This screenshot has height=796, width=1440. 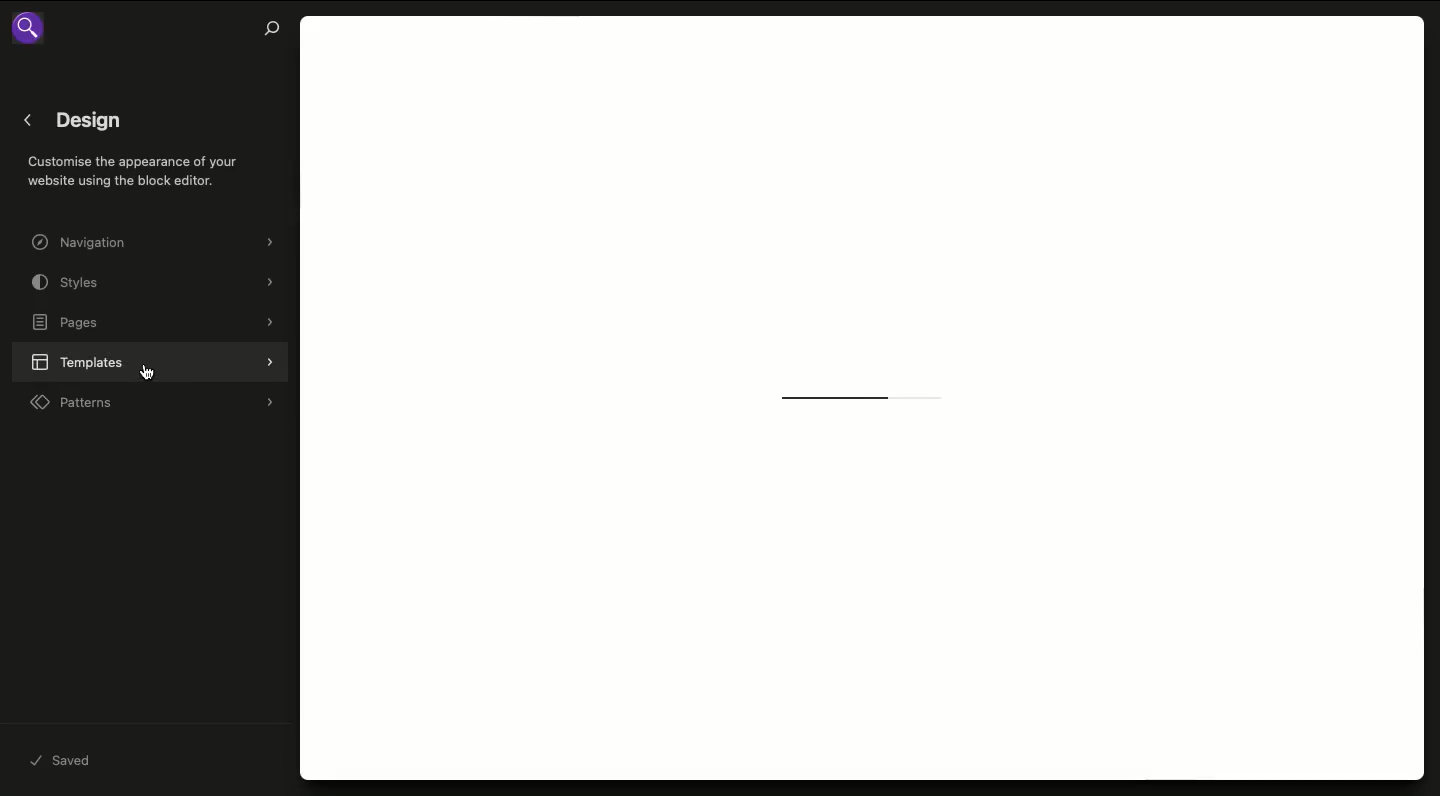 What do you see at coordinates (847, 395) in the screenshot?
I see `Loading` at bounding box center [847, 395].